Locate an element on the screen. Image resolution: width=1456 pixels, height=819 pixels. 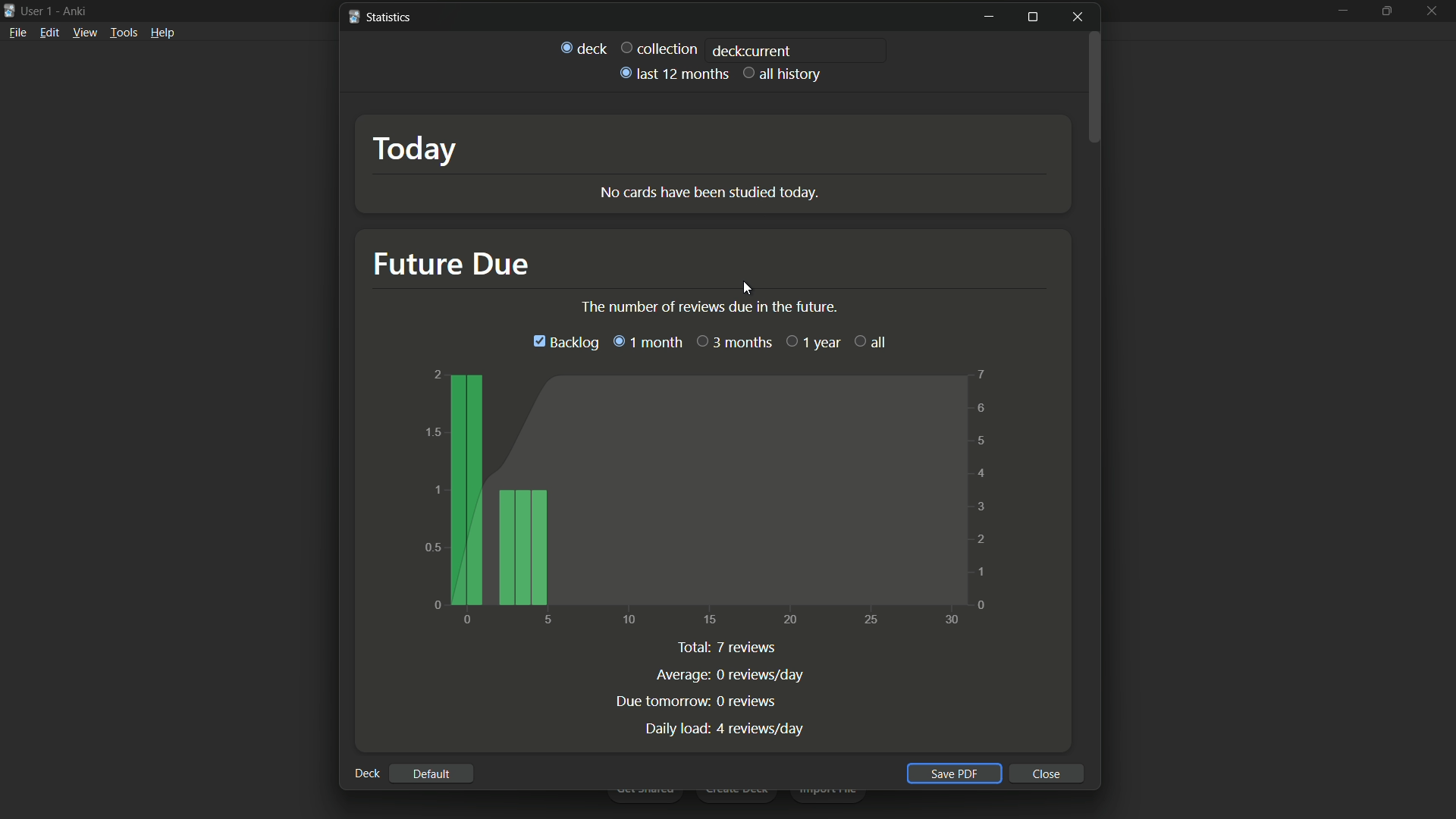
1 month is located at coordinates (645, 342).